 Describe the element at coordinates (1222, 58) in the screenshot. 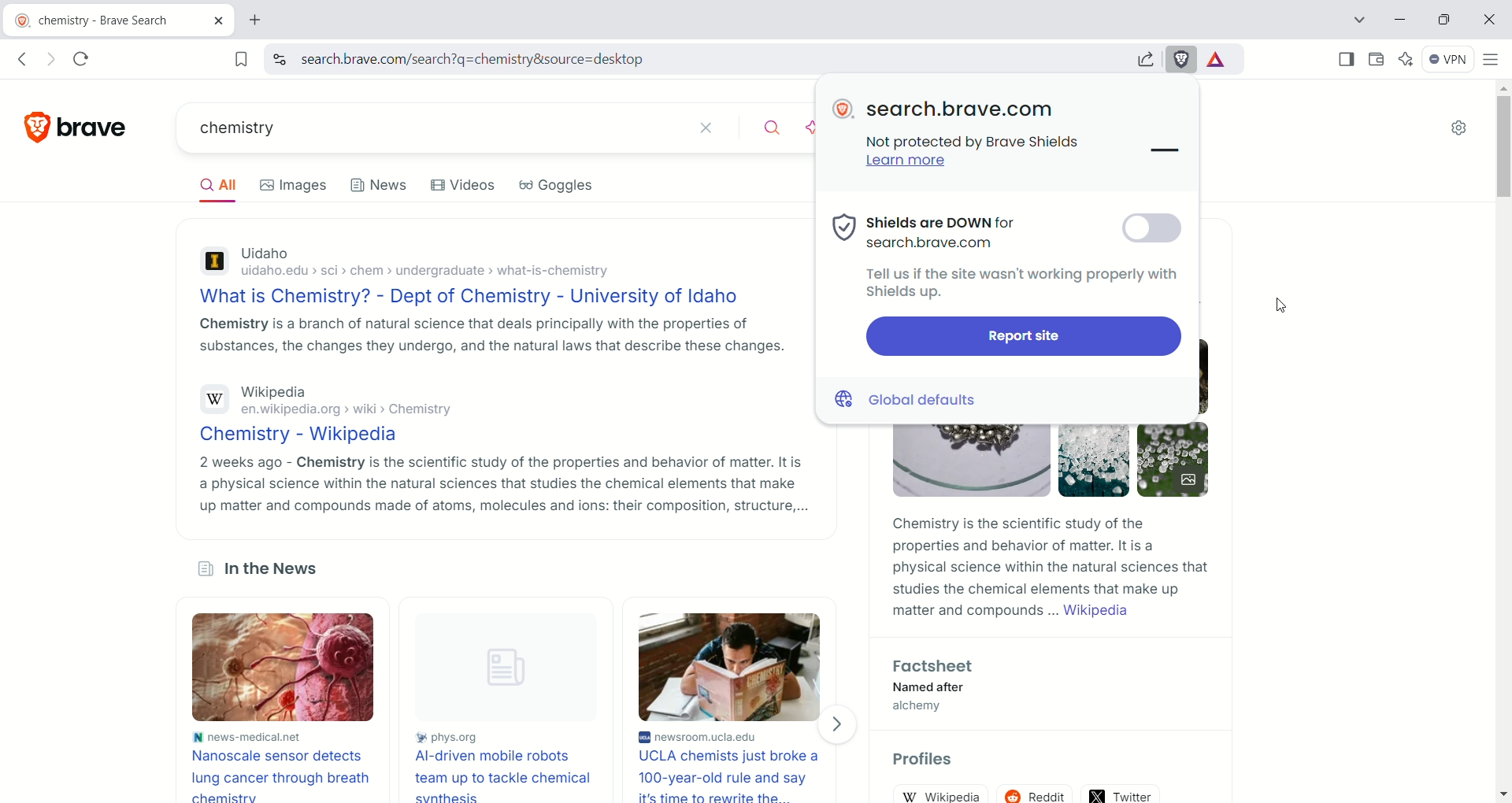

I see `rewards` at that location.